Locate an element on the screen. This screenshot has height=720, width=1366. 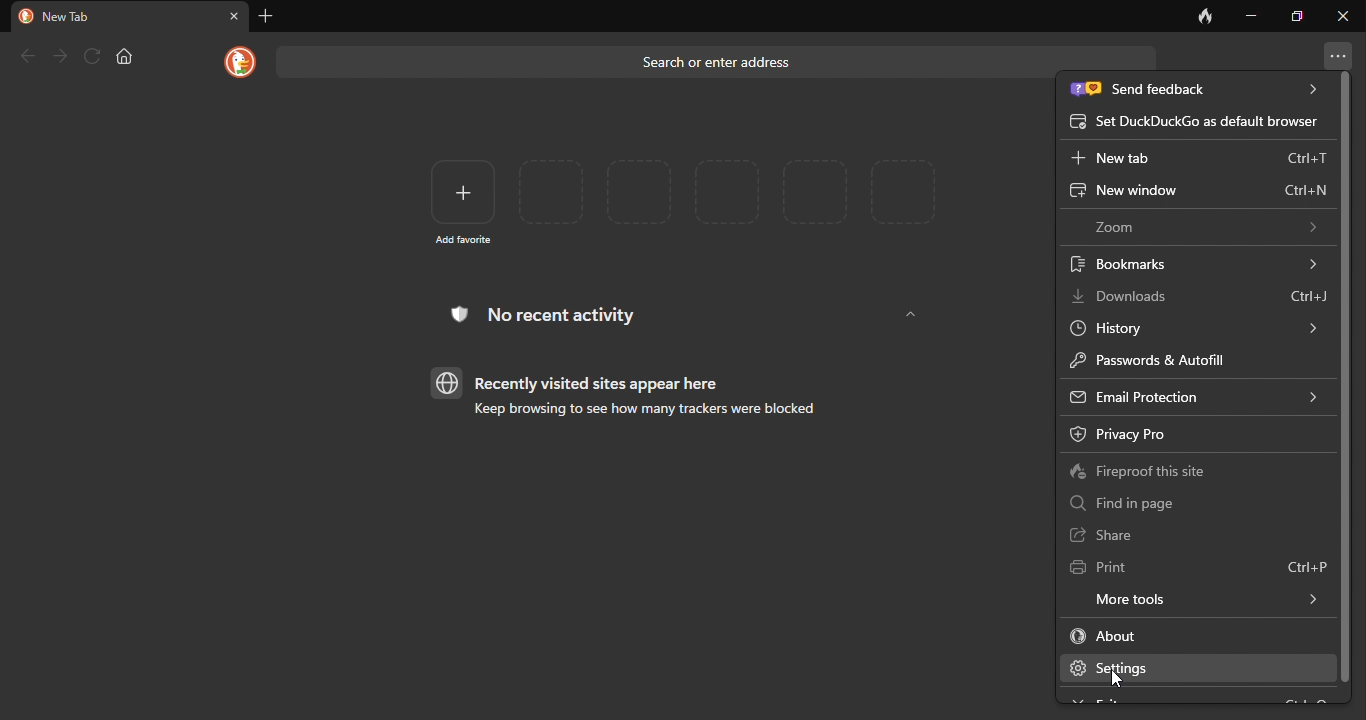
drop down is located at coordinates (911, 315).